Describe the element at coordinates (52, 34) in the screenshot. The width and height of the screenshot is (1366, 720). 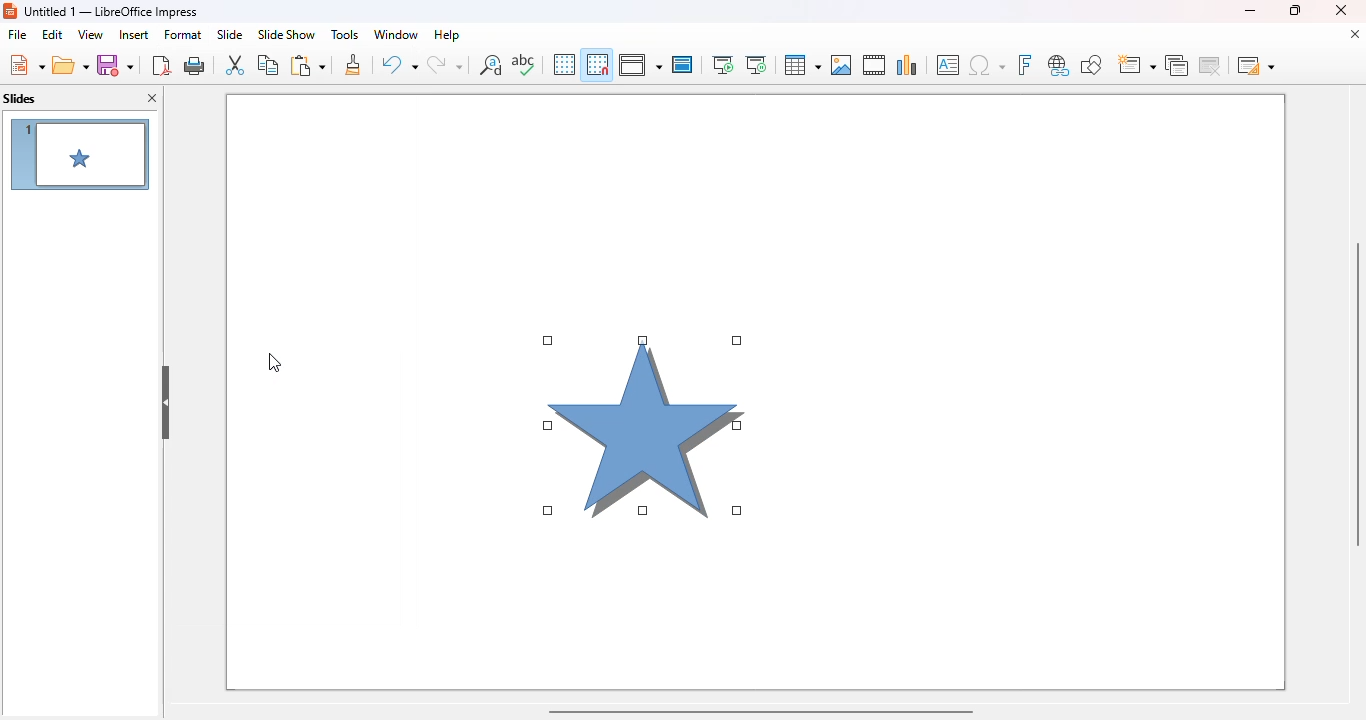
I see `edit` at that location.